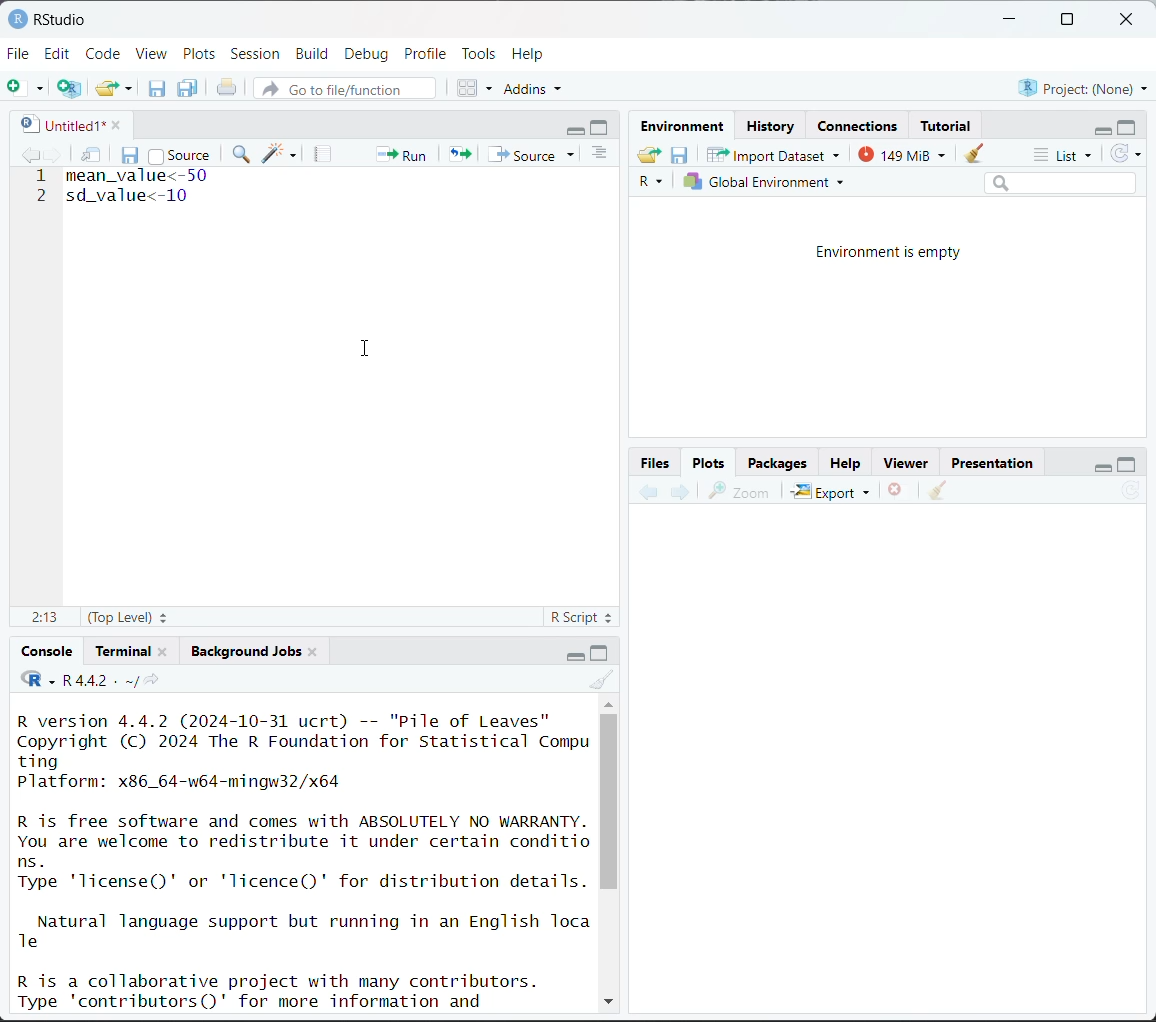 The width and height of the screenshot is (1156, 1022). What do you see at coordinates (890, 253) in the screenshot?
I see `Environment is empty` at bounding box center [890, 253].